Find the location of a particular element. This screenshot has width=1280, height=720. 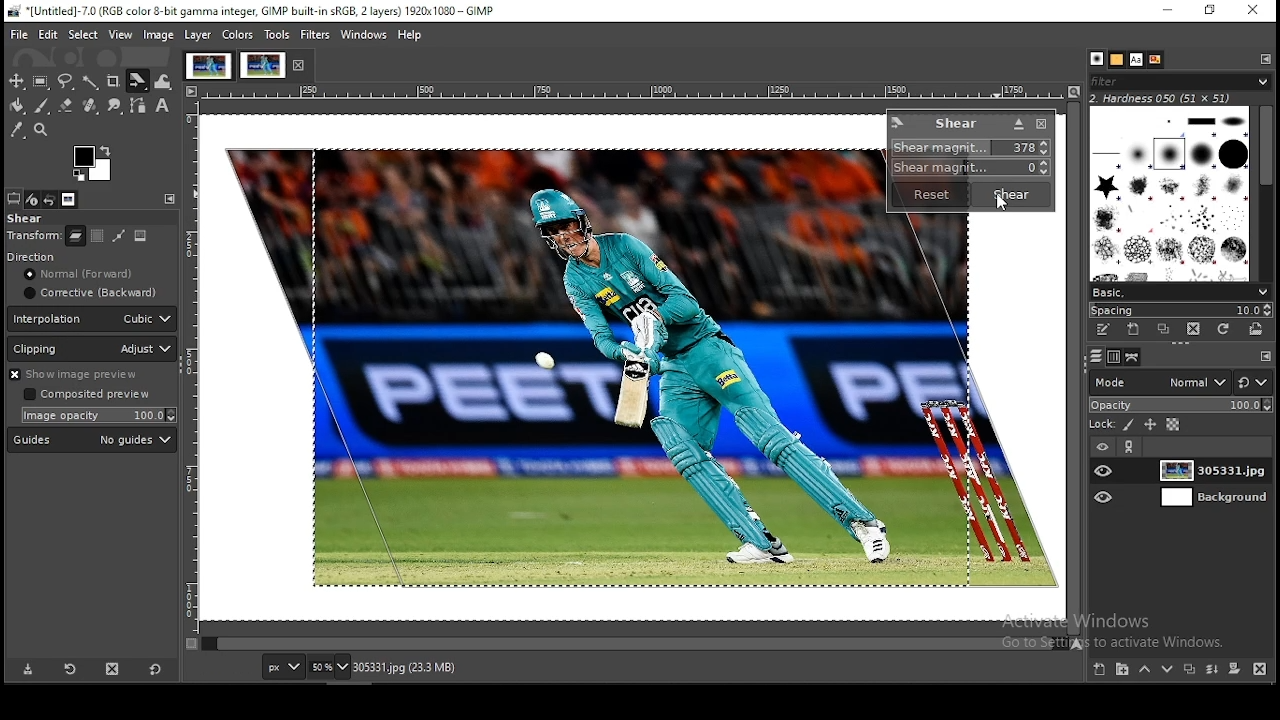

select is located at coordinates (83, 33).